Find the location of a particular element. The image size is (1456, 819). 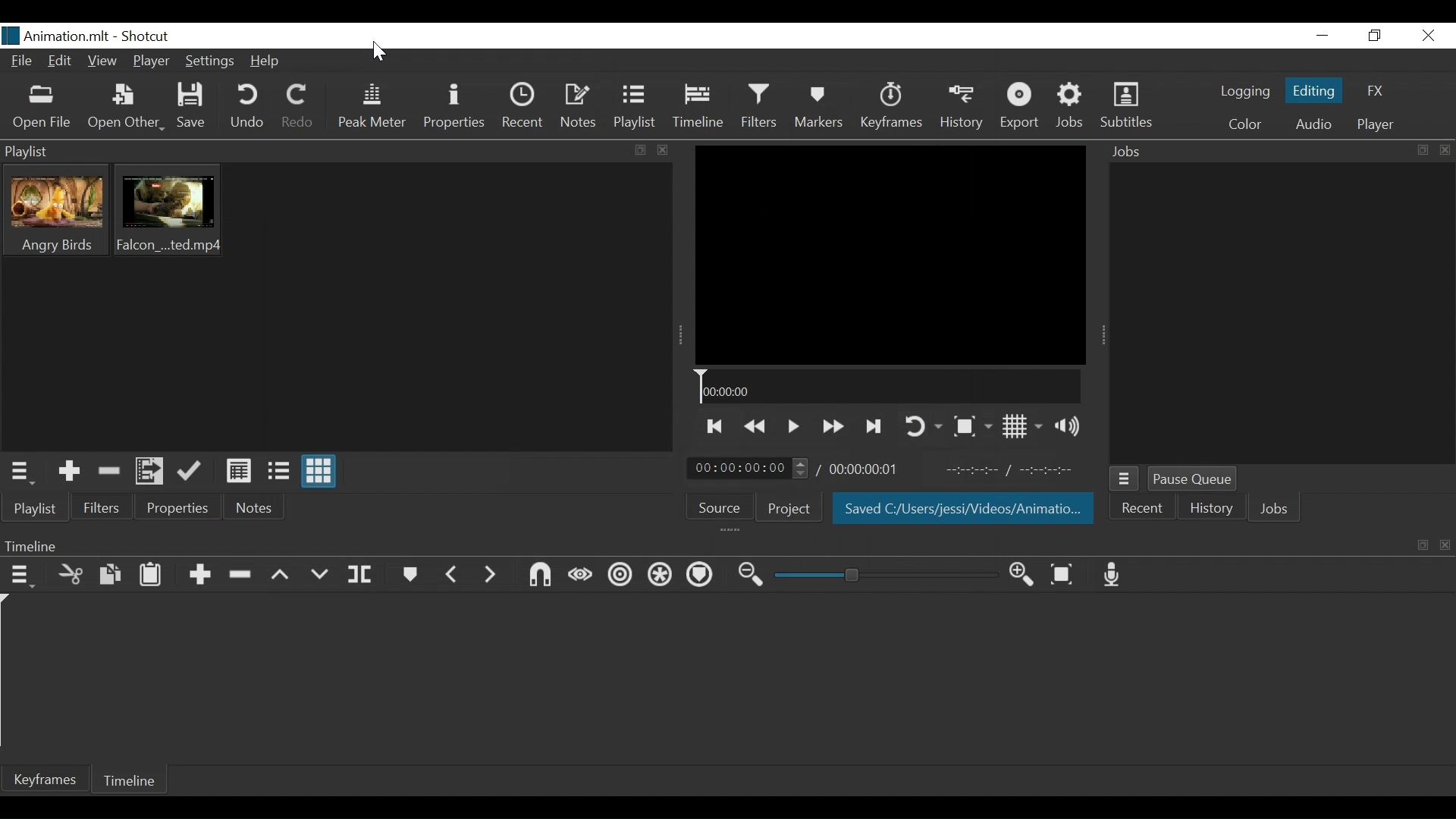

Save is located at coordinates (192, 106).